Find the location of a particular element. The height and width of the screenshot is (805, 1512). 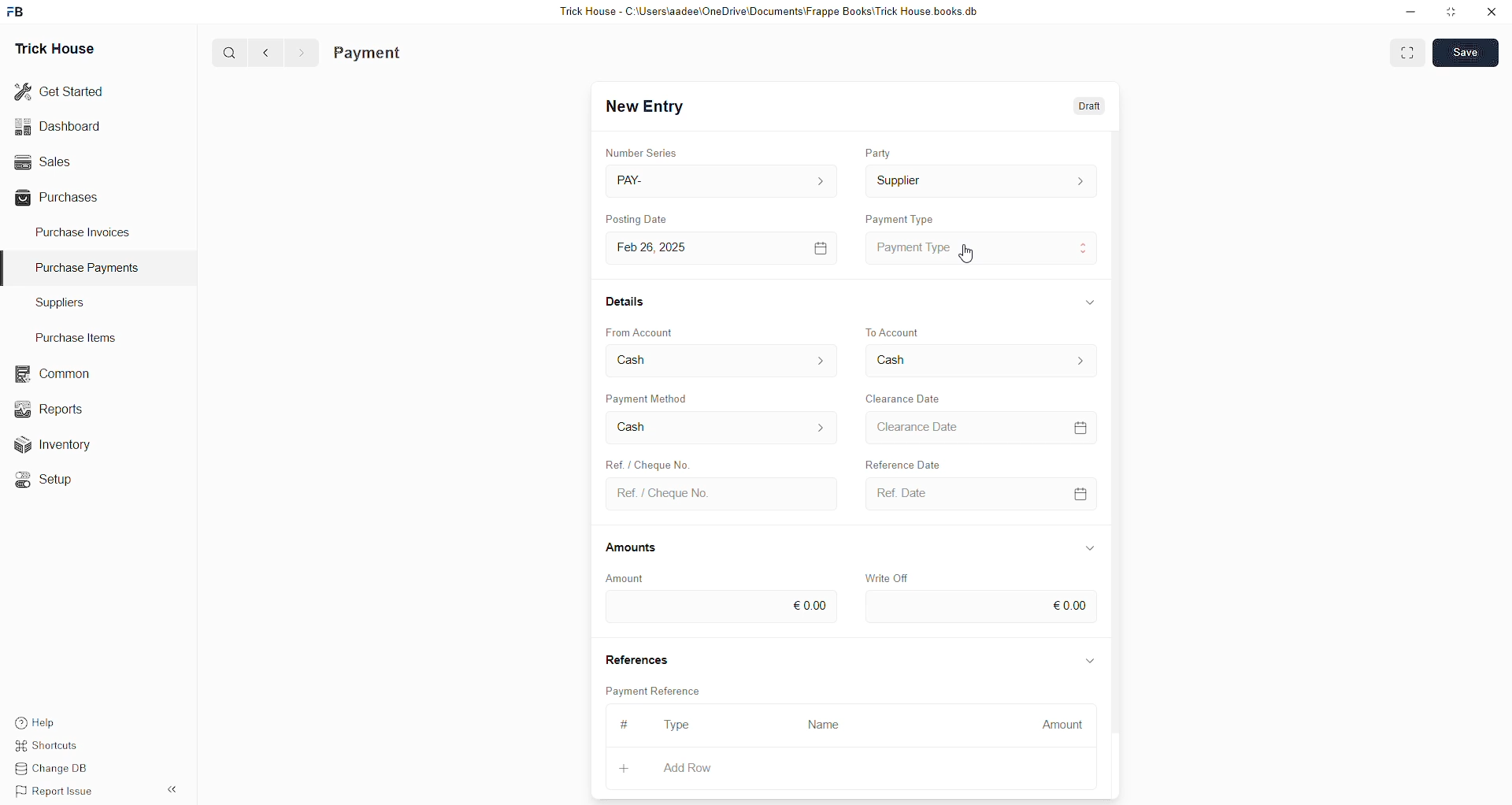

toggle between form and full width is located at coordinates (1409, 54).